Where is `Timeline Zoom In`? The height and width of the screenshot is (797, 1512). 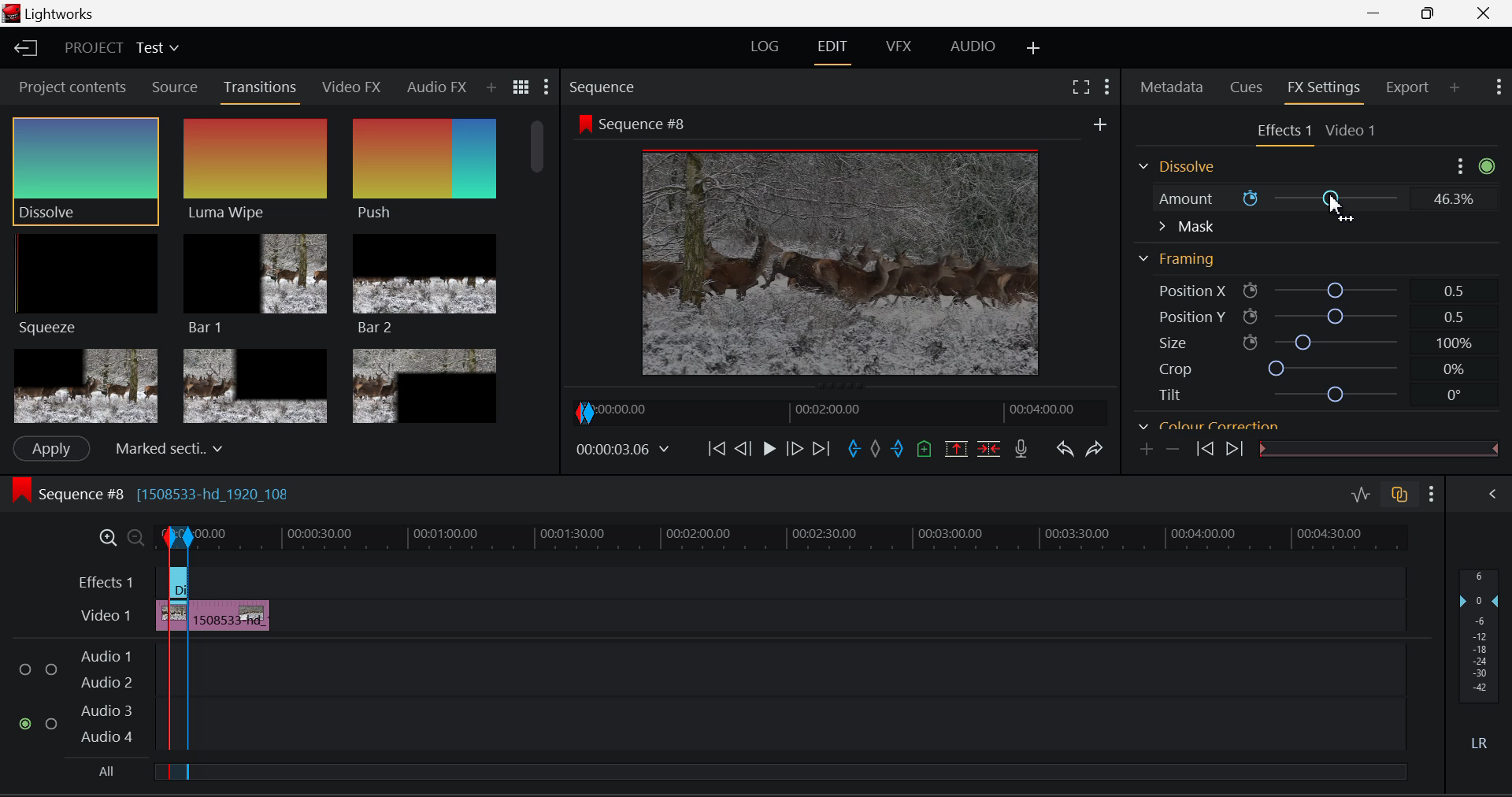 Timeline Zoom In is located at coordinates (104, 537).